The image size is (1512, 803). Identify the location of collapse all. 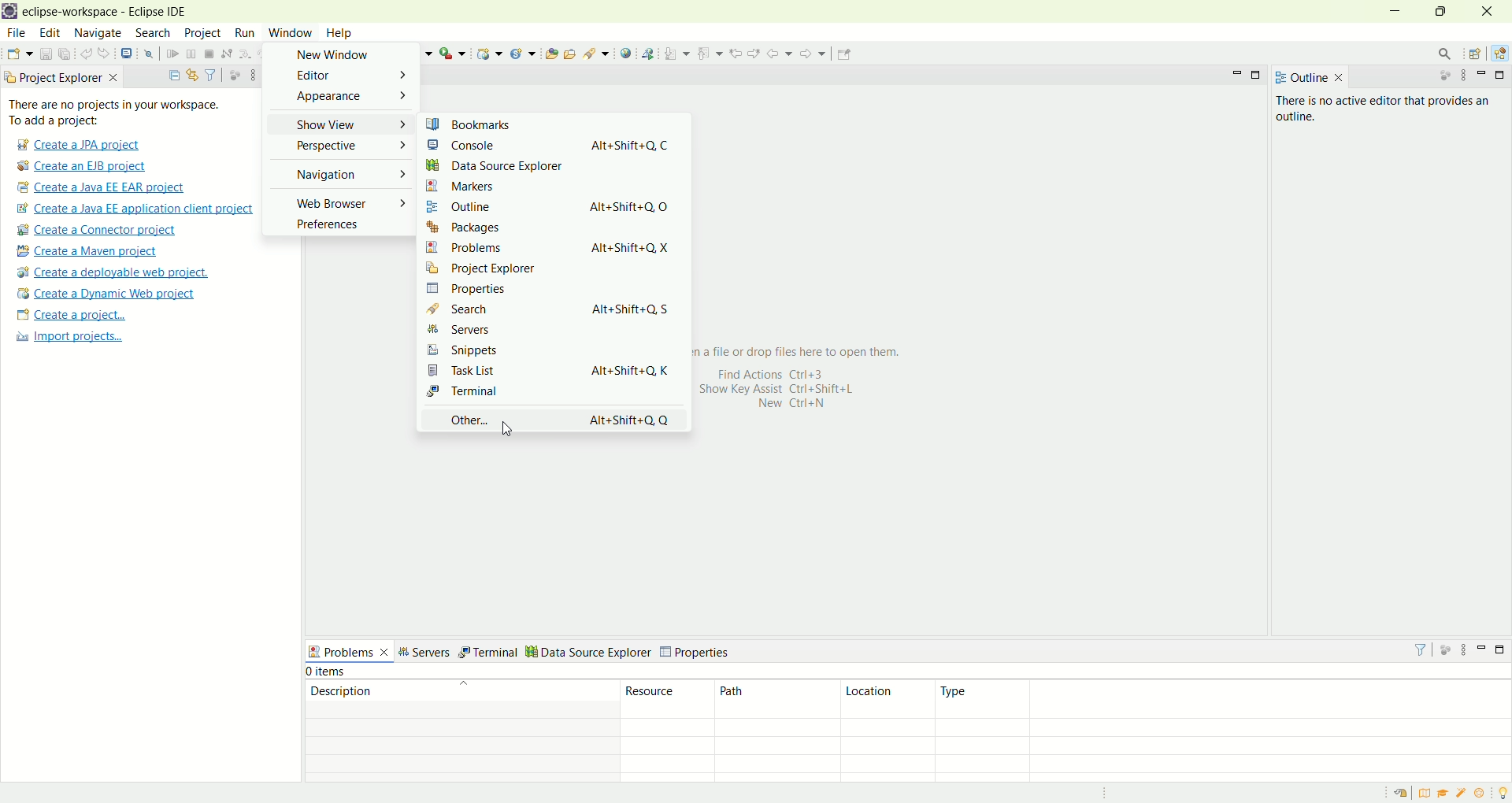
(172, 73).